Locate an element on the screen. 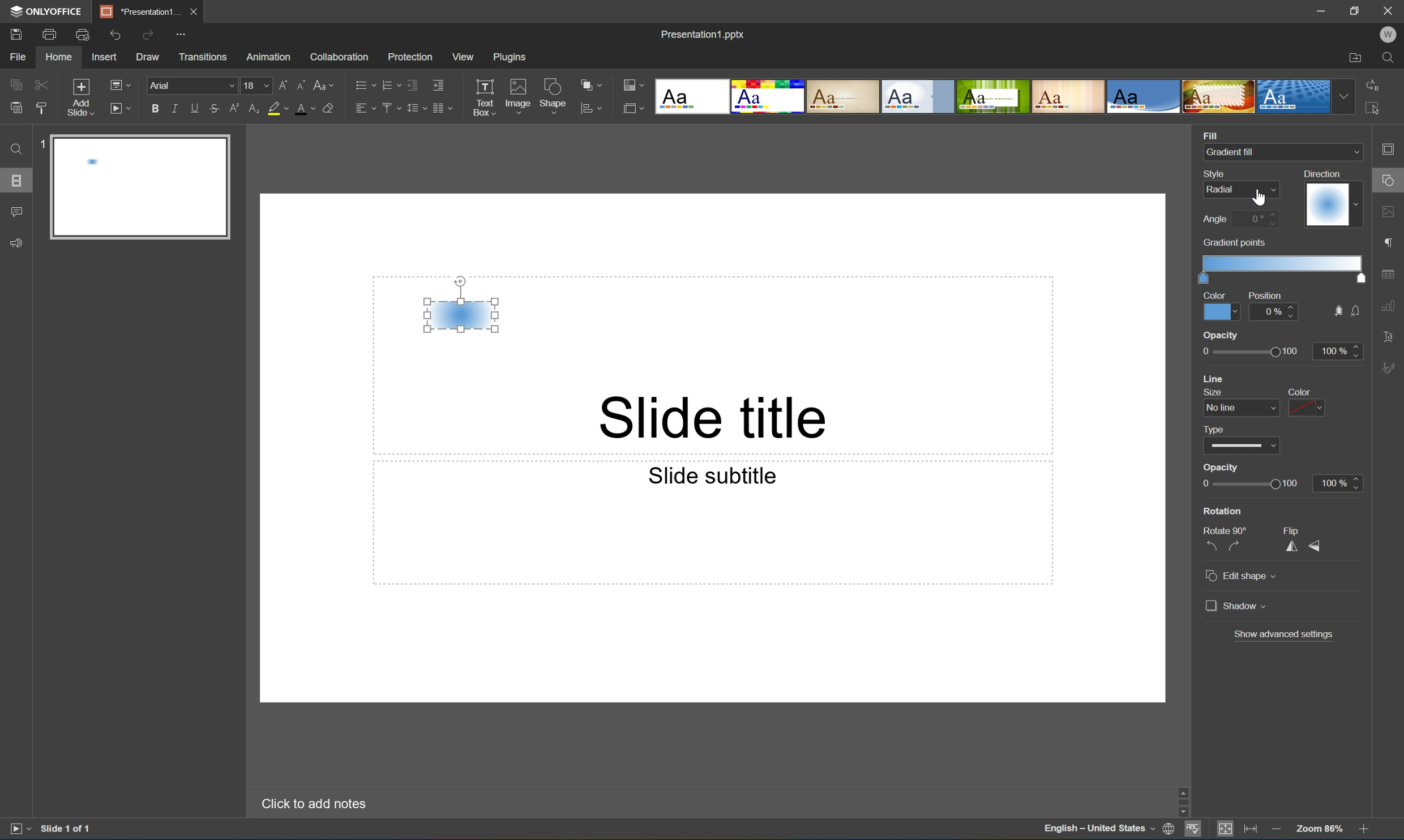  Clear style is located at coordinates (328, 107).